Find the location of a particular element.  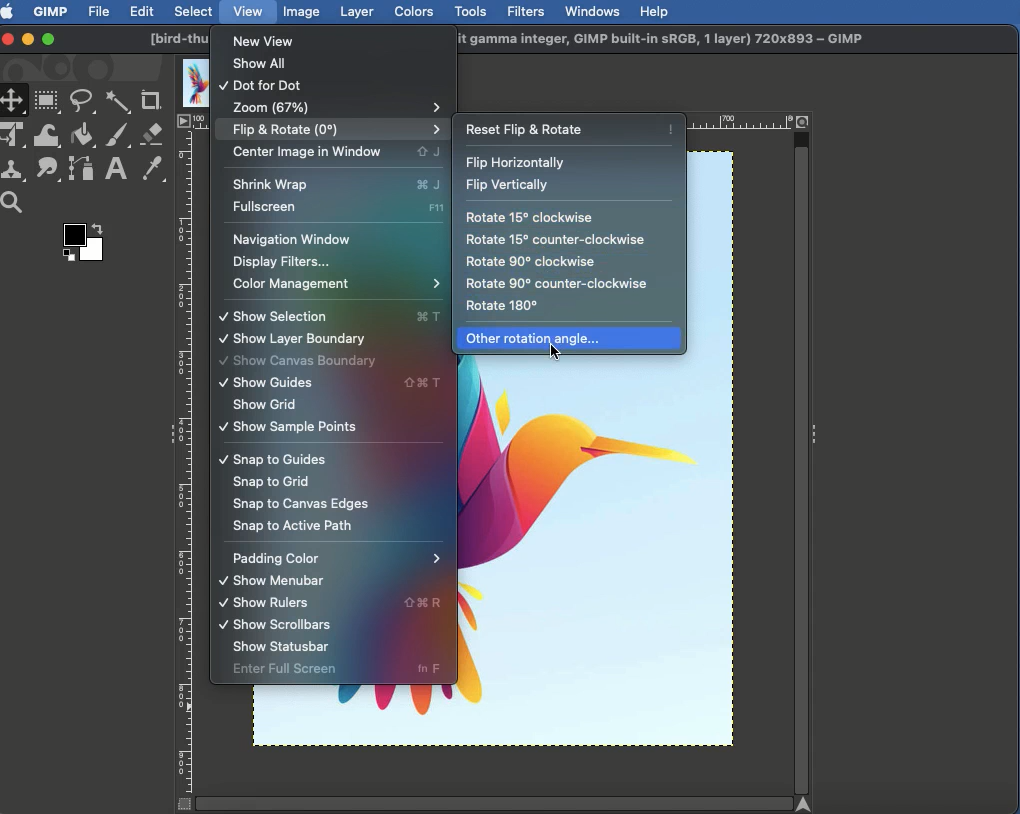

Show rulers is located at coordinates (285, 605).